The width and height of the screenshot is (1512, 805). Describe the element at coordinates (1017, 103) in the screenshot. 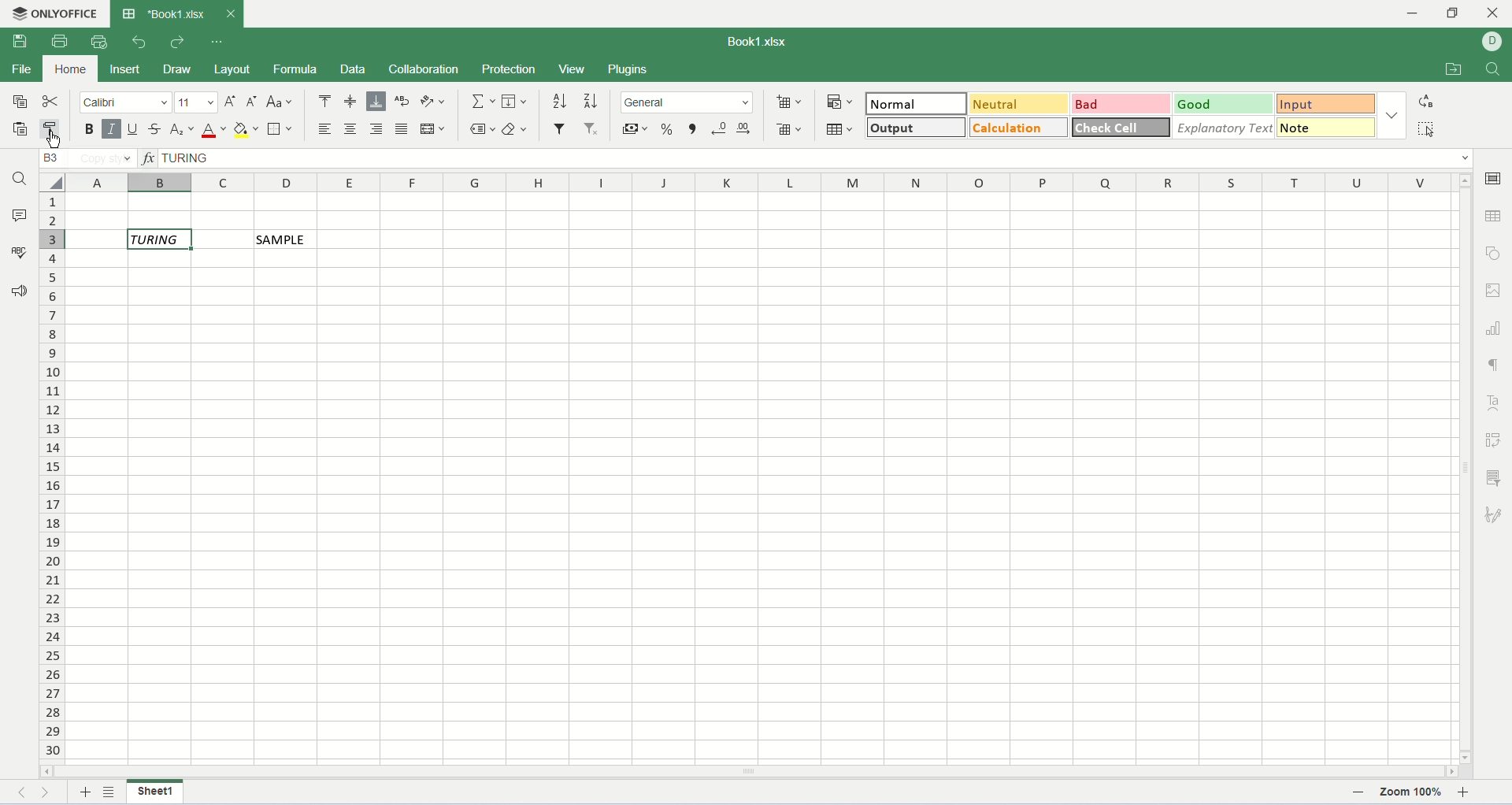

I see `neutral` at that location.